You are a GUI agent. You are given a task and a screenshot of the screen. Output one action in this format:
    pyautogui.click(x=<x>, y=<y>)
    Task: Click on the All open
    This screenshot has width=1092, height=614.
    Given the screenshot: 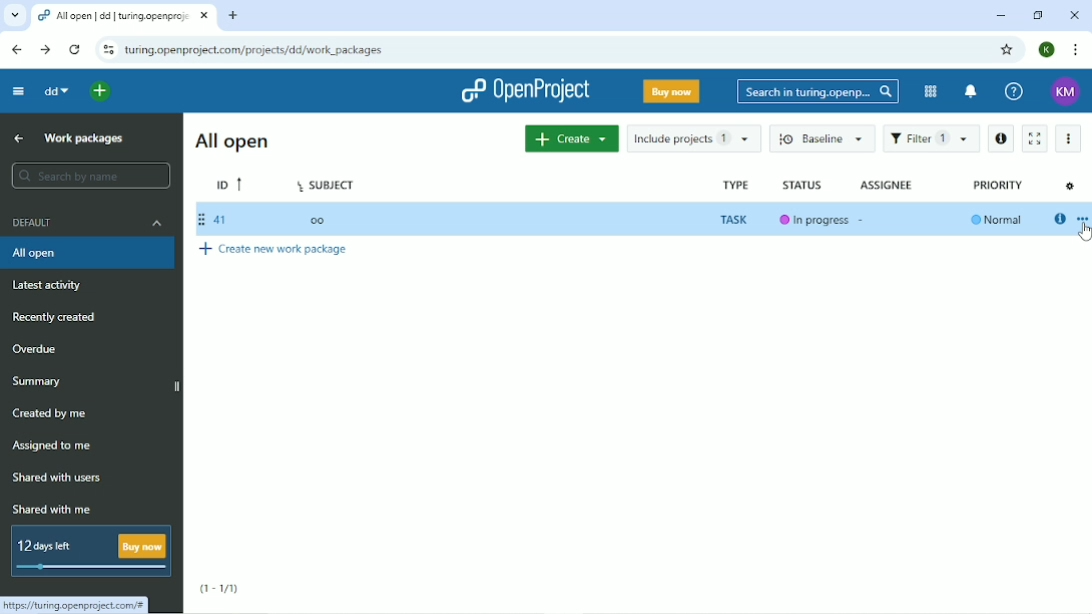 What is the action you would take?
    pyautogui.click(x=235, y=140)
    